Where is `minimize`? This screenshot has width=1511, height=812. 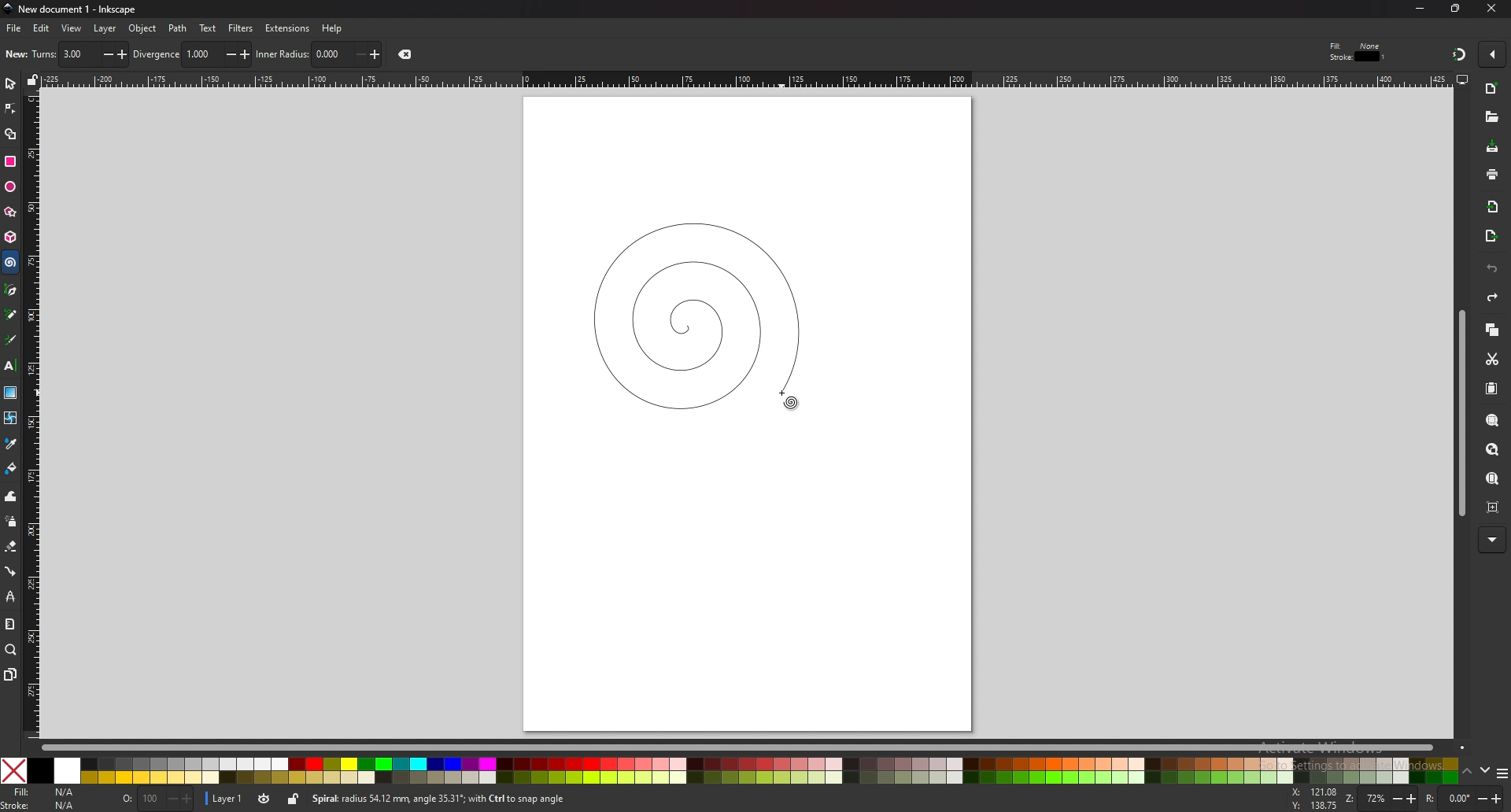 minimize is located at coordinates (1419, 8).